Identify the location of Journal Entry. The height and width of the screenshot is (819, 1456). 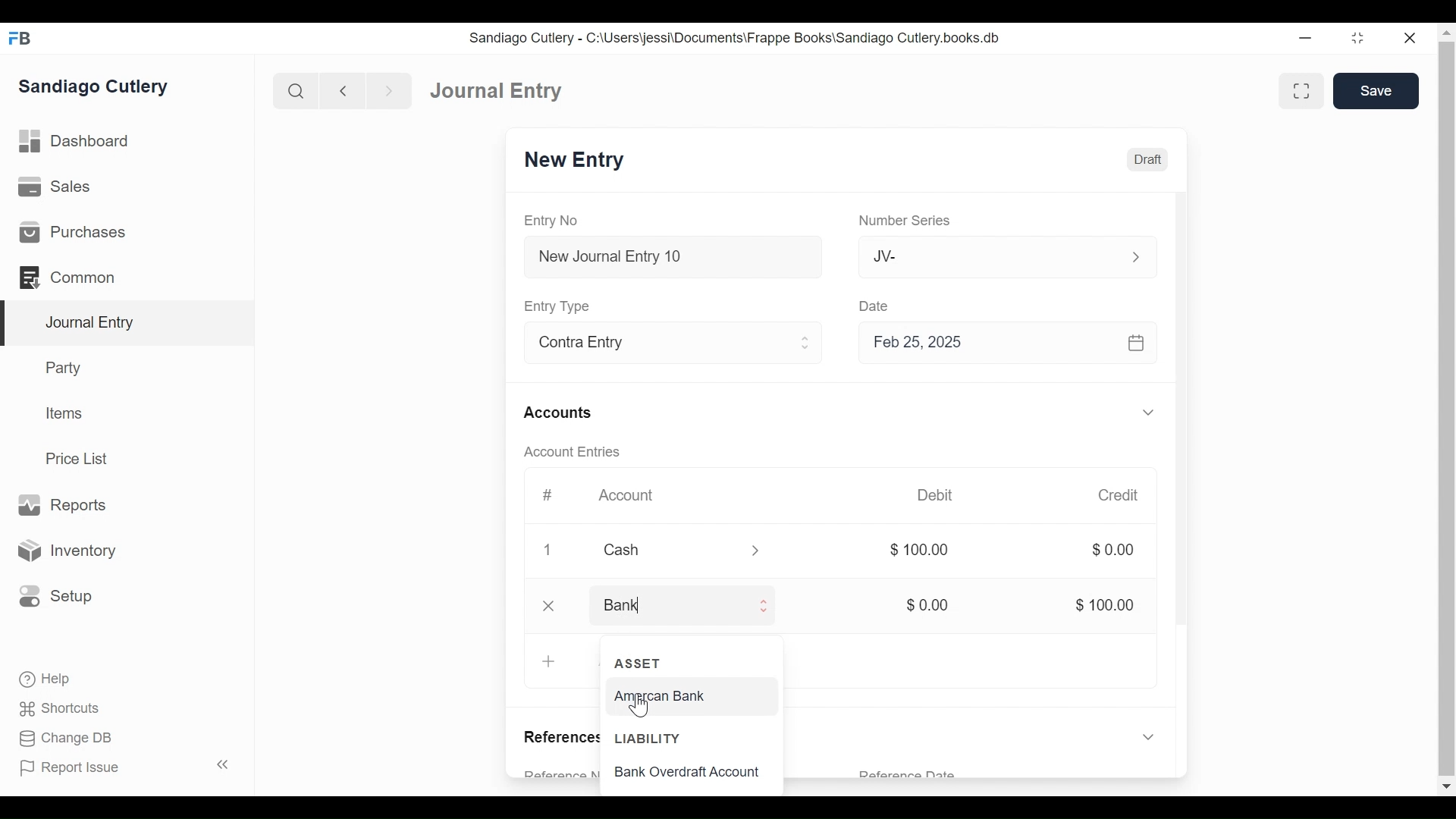
(128, 323).